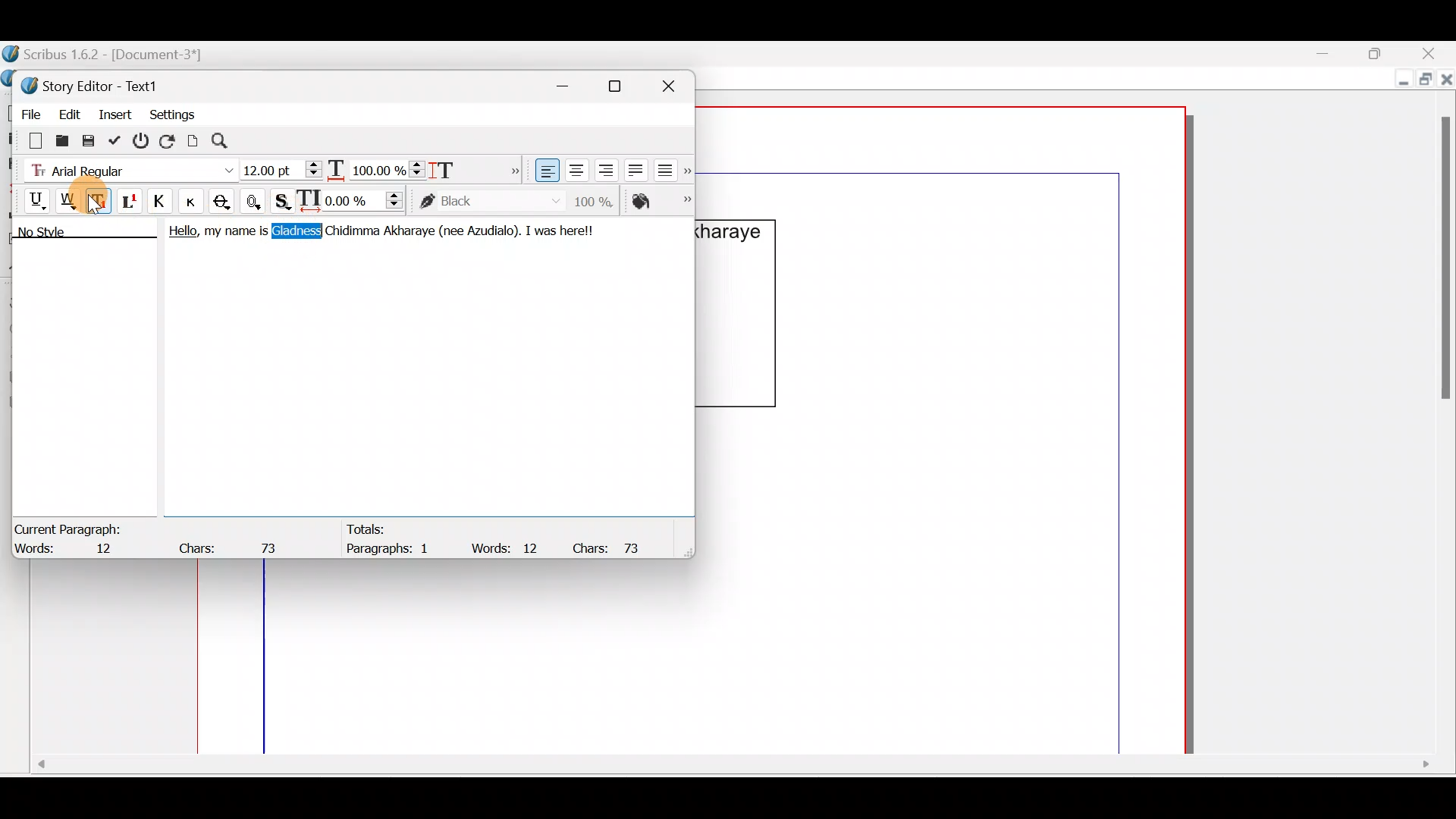 This screenshot has height=819, width=1456. I want to click on Search/replace, so click(228, 141).